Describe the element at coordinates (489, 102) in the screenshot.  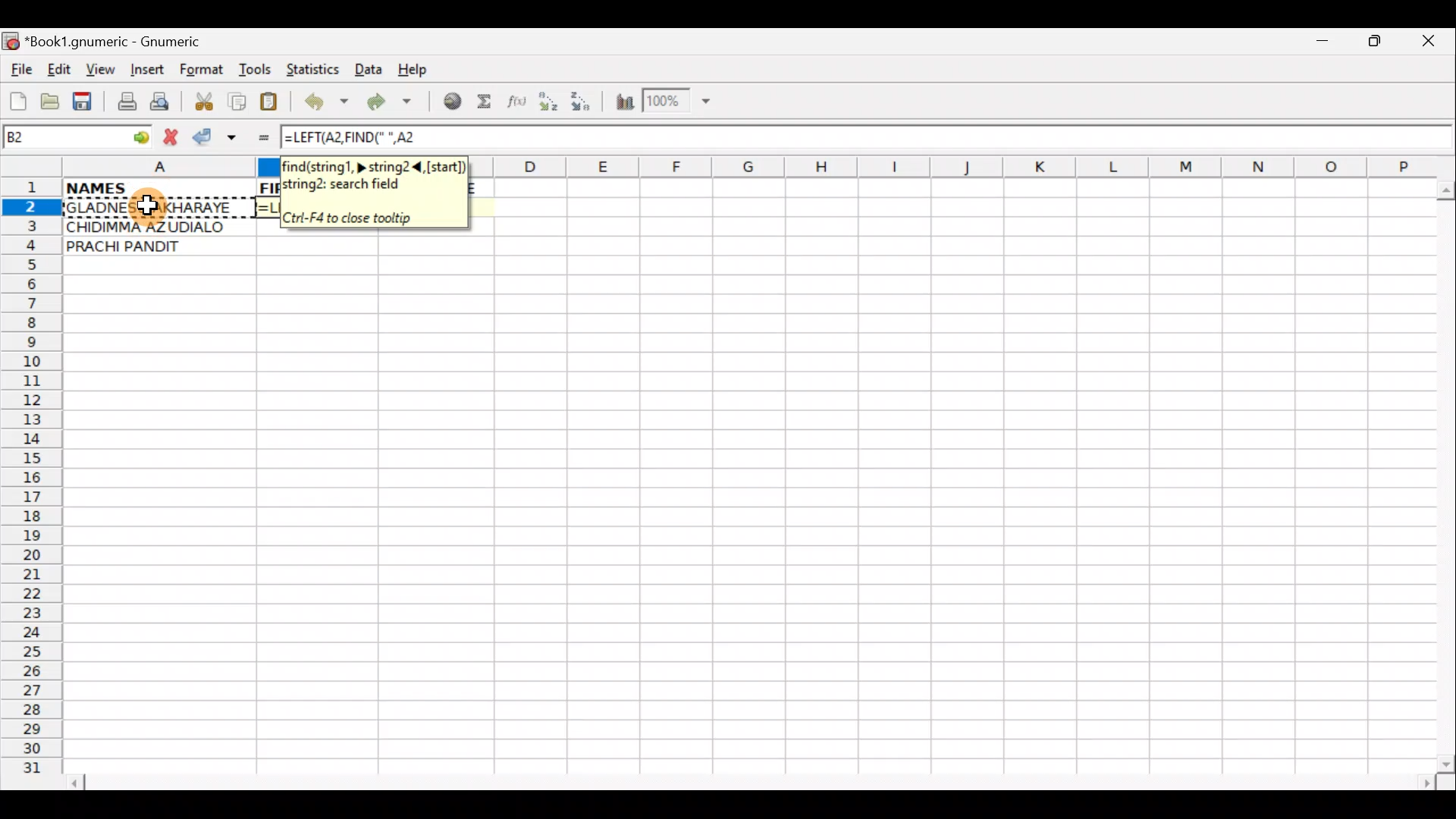
I see `Sum in the current cell` at that location.